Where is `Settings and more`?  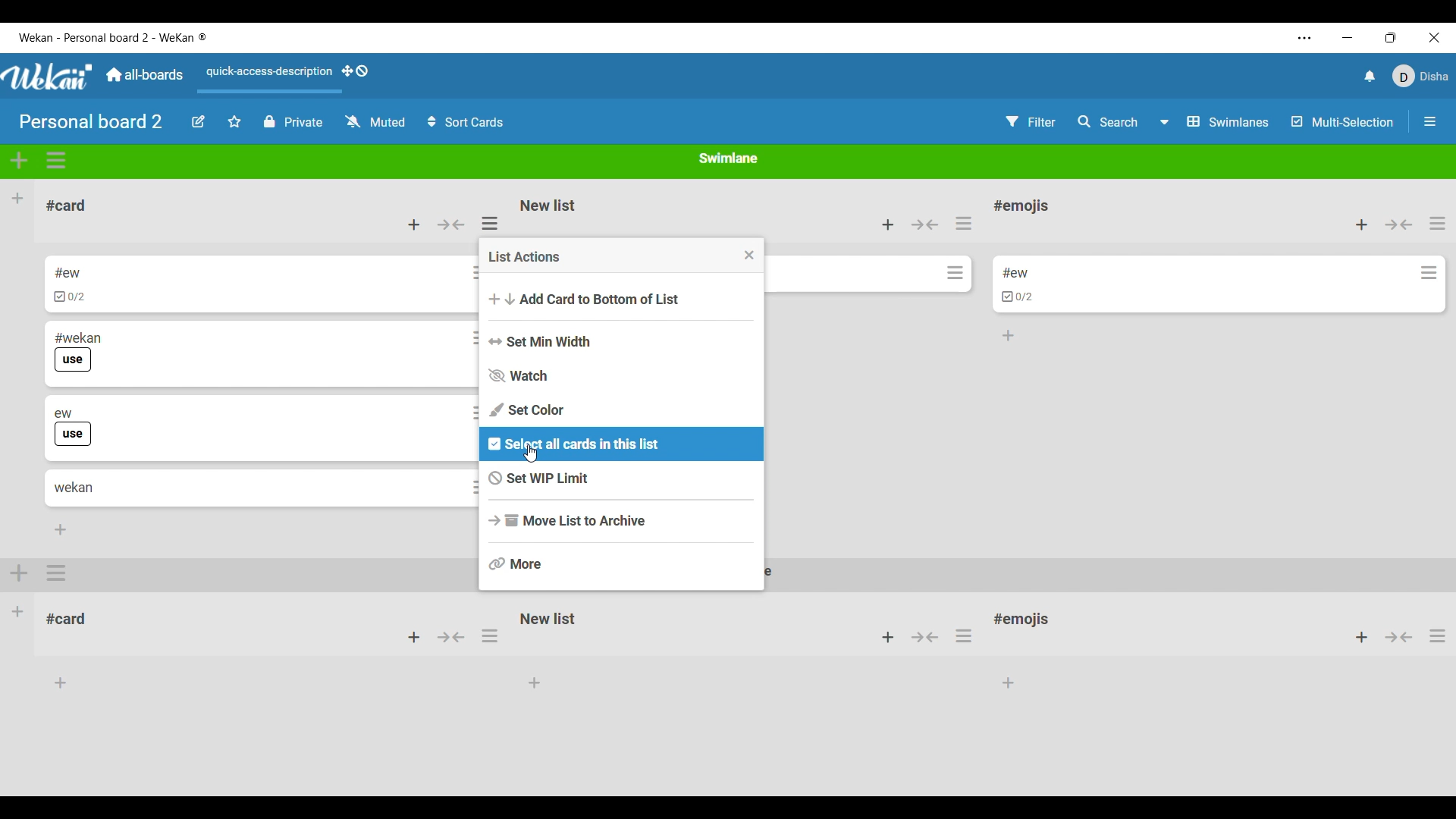
Settings and more is located at coordinates (1304, 38).